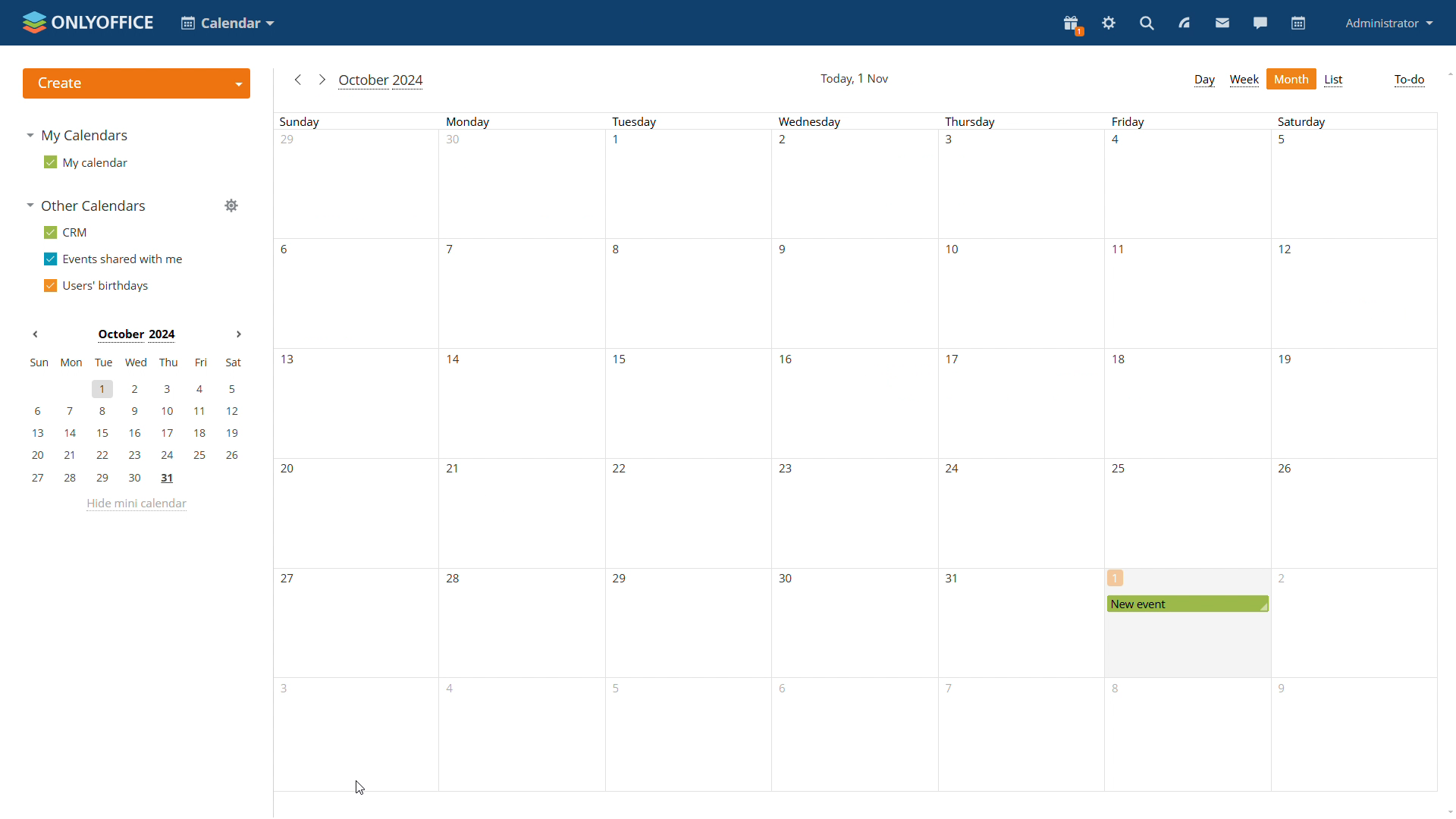  I want to click on Saturday, so click(1351, 452).